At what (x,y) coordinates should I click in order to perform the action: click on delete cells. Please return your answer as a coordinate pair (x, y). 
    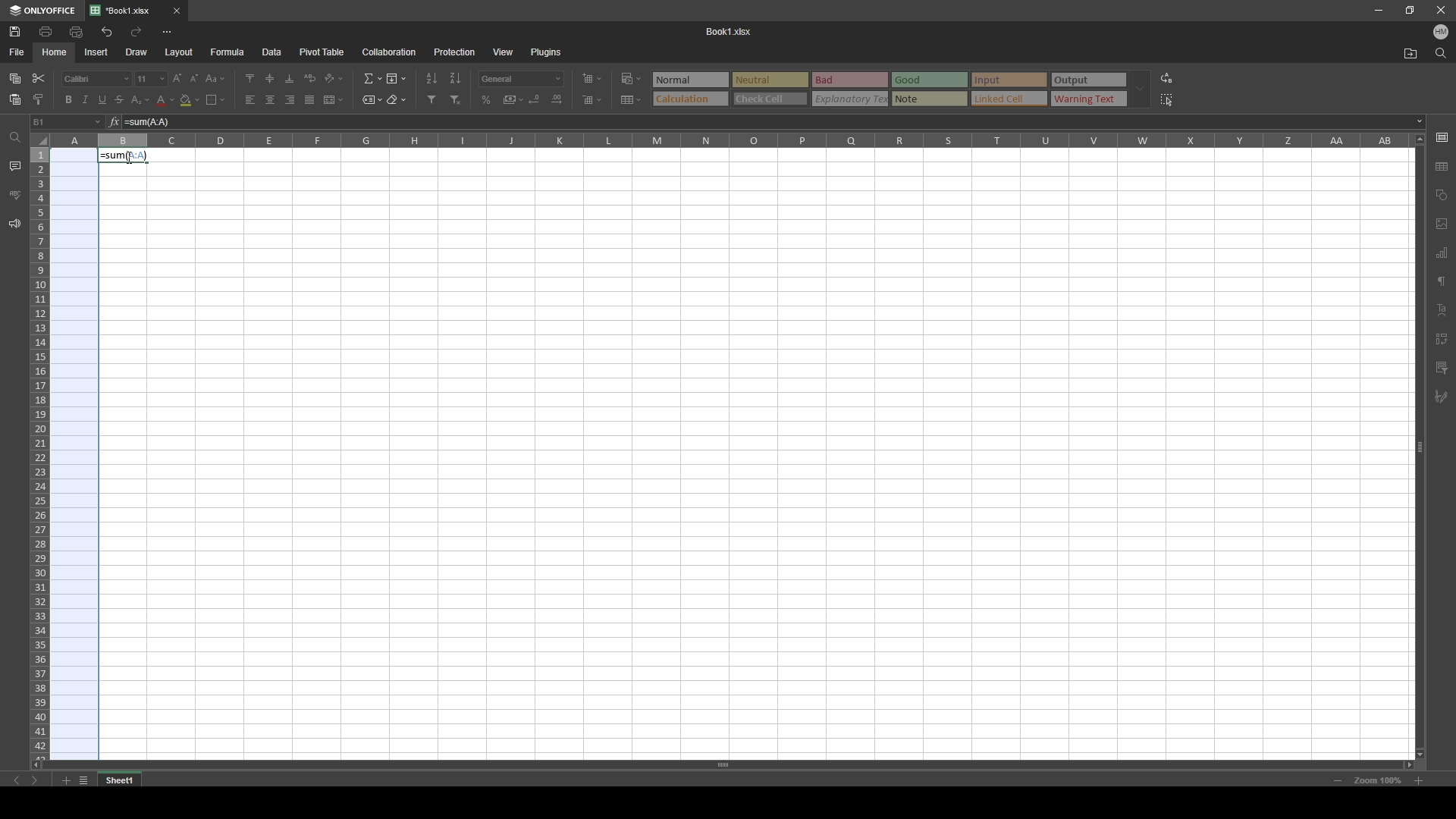
    Looking at the image, I should click on (592, 99).